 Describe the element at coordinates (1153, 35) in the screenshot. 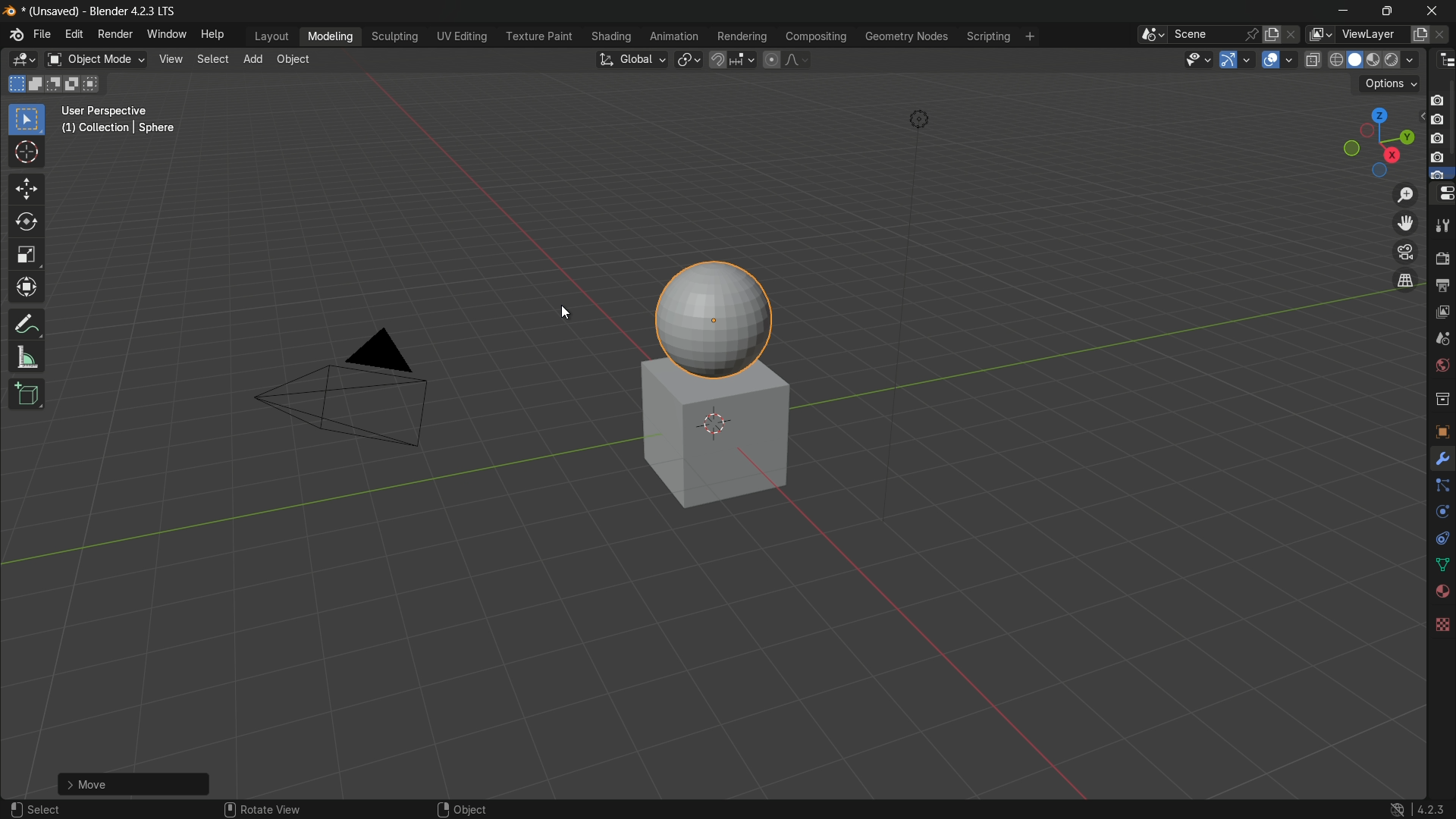

I see `browse scenes` at that location.